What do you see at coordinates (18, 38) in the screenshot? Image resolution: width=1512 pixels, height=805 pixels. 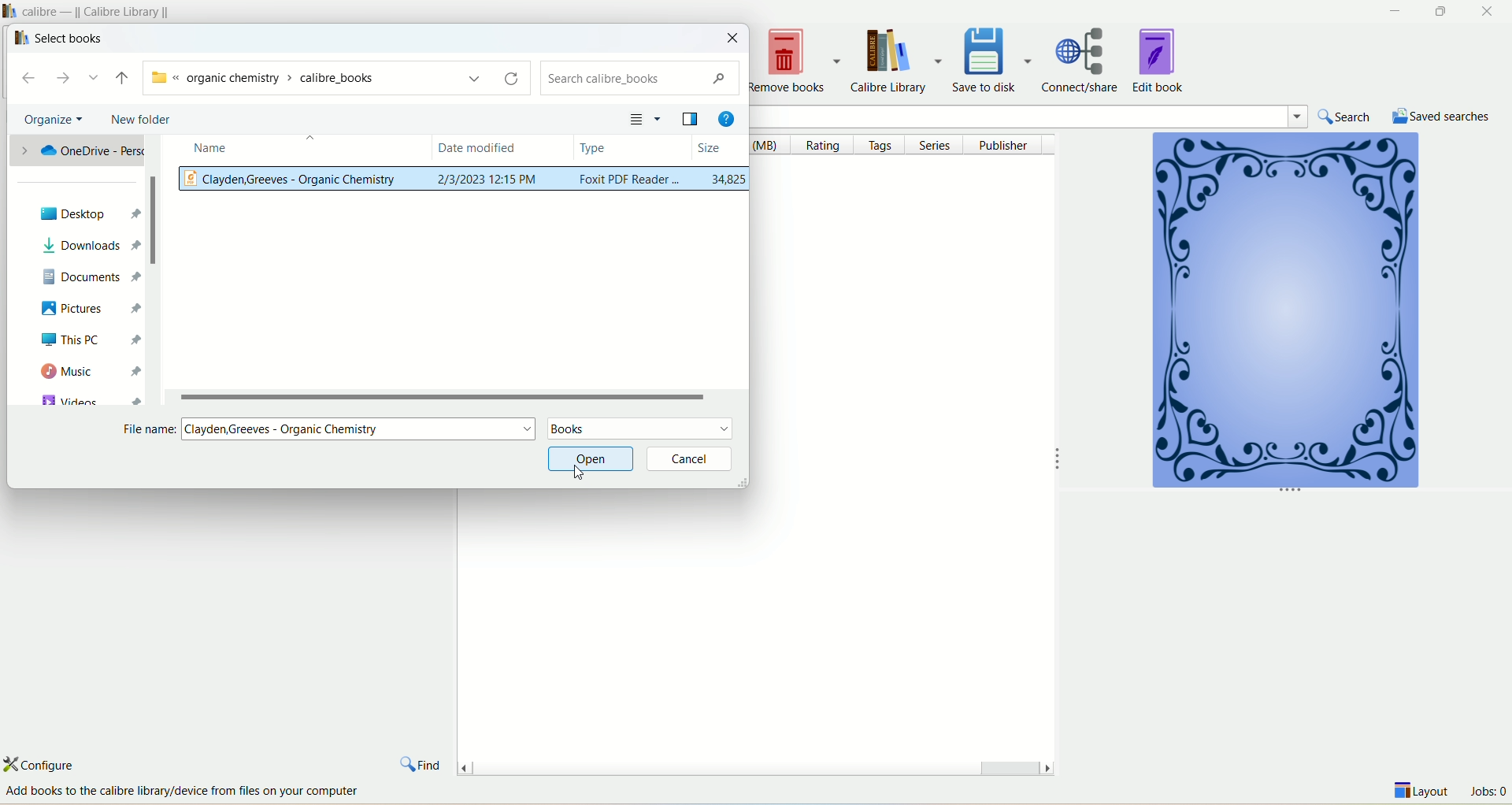 I see `logo` at bounding box center [18, 38].